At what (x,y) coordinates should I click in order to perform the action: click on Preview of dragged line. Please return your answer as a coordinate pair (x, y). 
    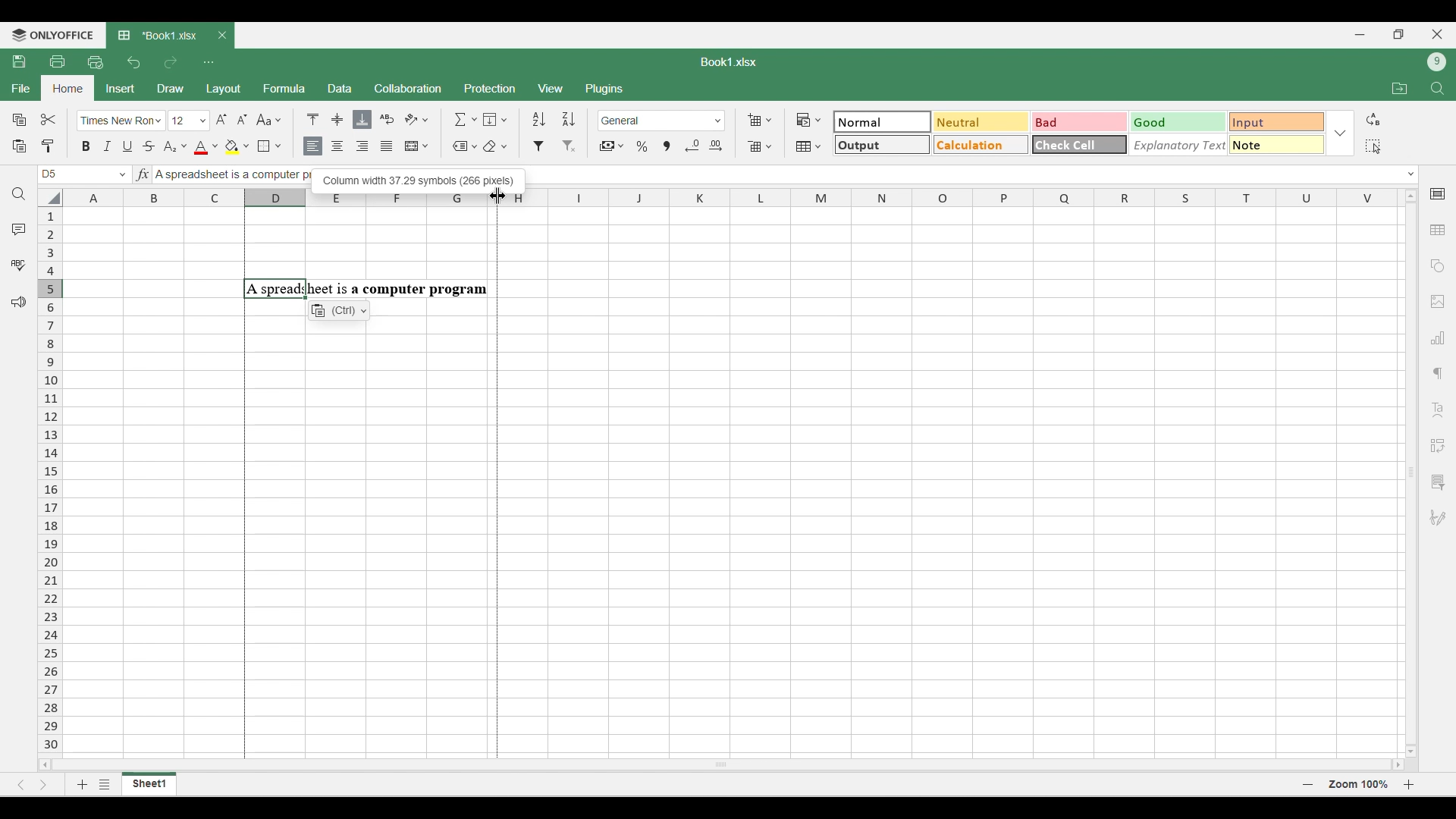
    Looking at the image, I should click on (497, 483).